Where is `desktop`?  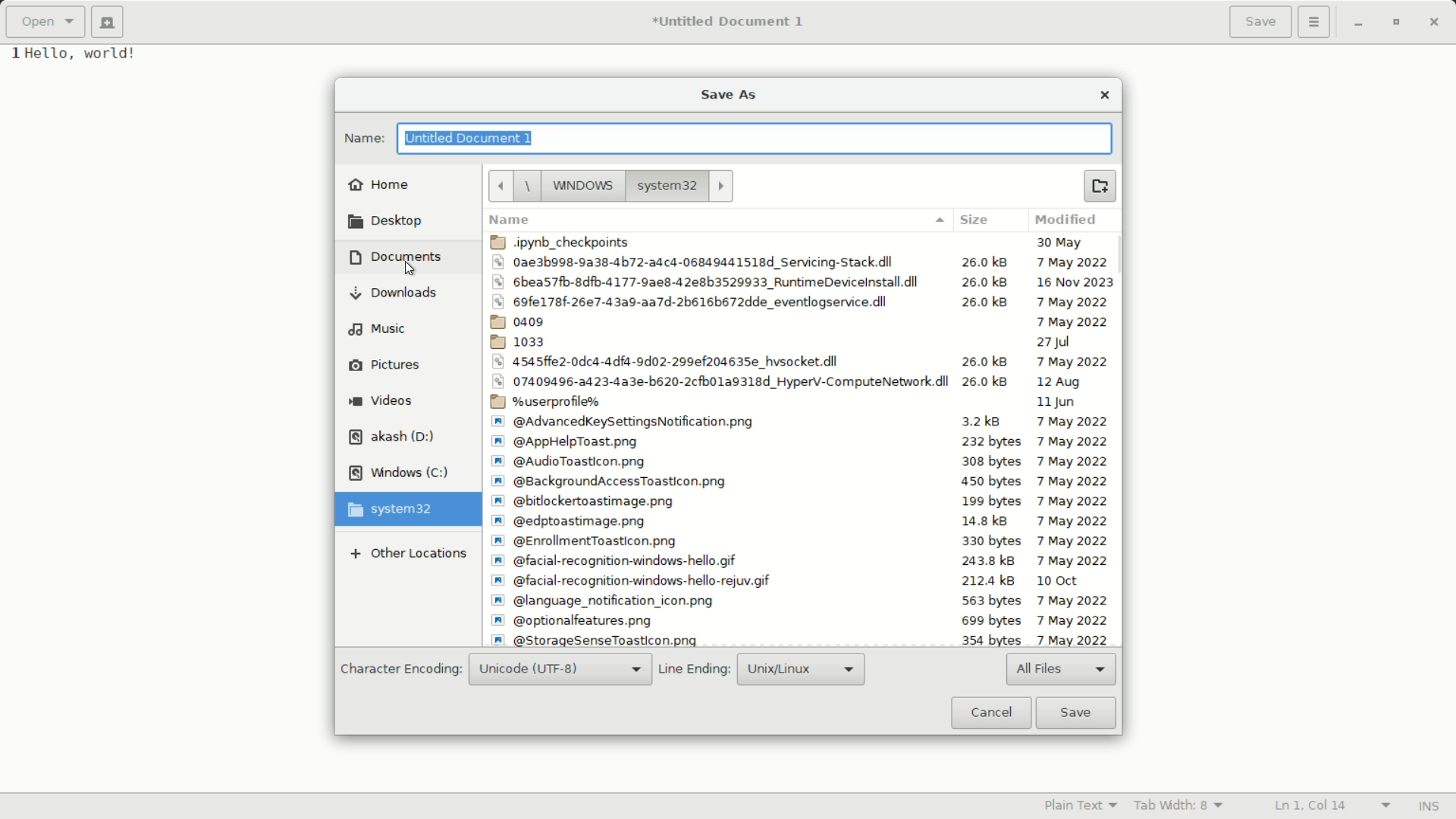
desktop is located at coordinates (385, 224).